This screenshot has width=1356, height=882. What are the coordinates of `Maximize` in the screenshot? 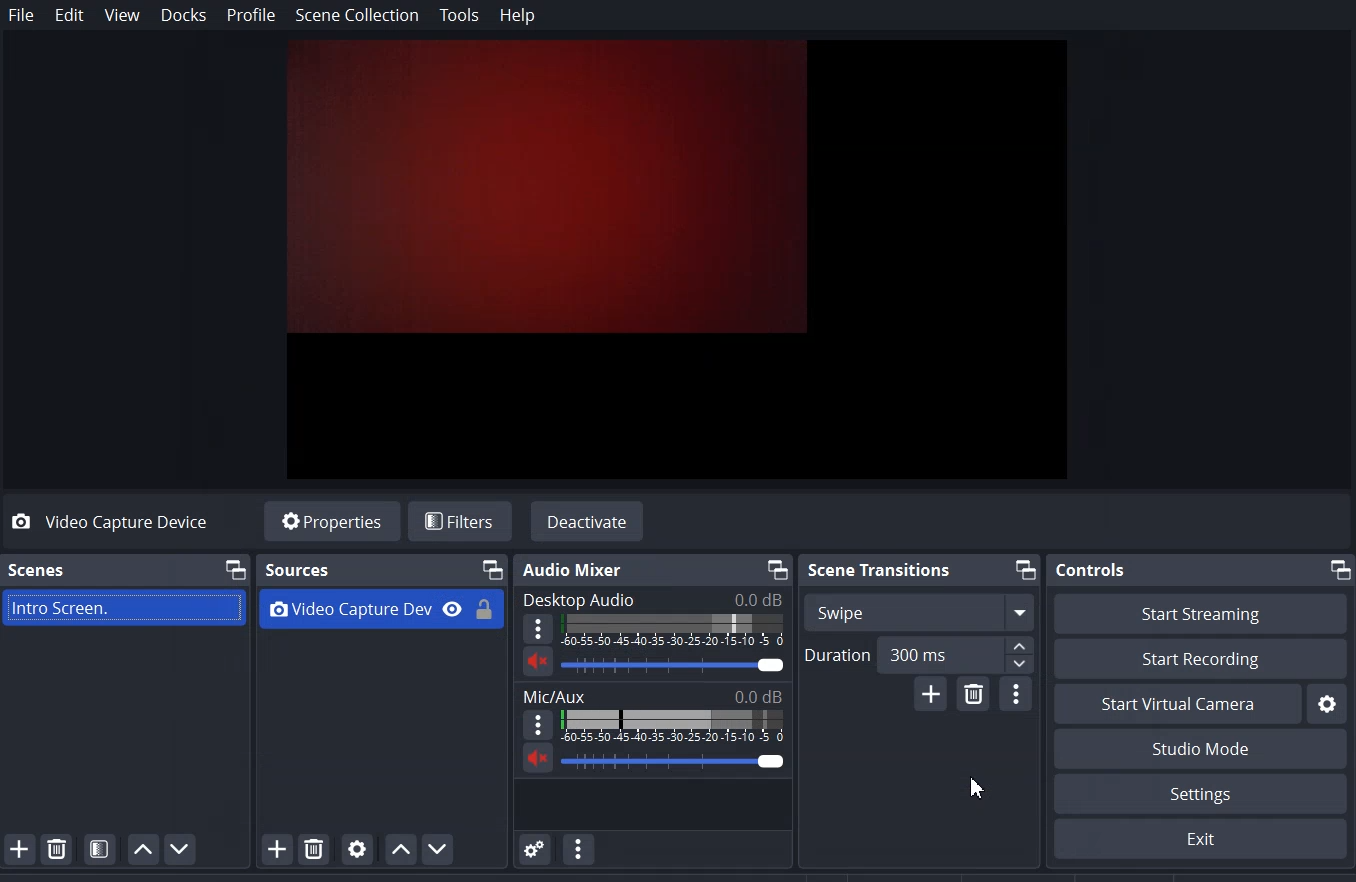 It's located at (234, 569).